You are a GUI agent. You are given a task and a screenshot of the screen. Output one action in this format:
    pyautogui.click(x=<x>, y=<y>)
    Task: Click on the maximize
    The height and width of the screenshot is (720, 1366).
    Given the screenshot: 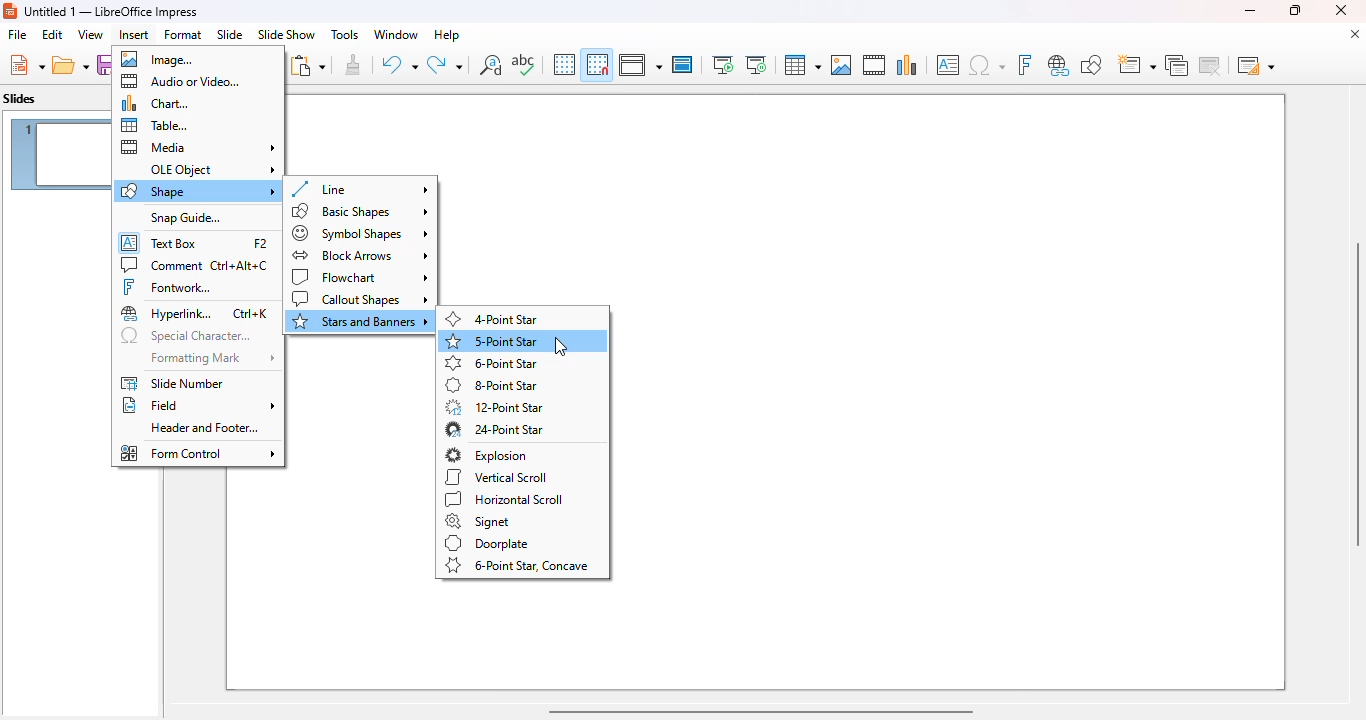 What is the action you would take?
    pyautogui.click(x=1293, y=10)
    